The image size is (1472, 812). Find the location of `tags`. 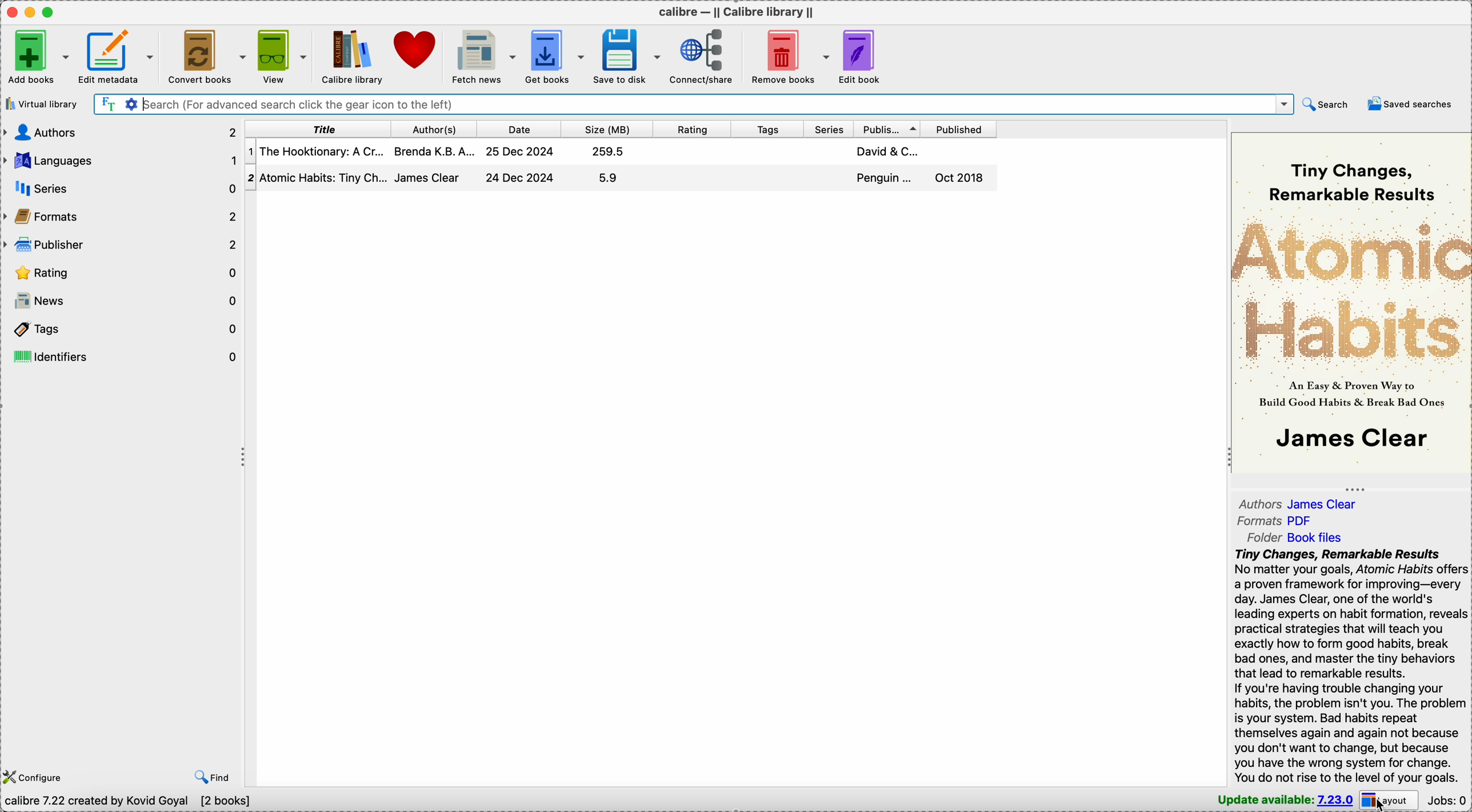

tags is located at coordinates (123, 330).